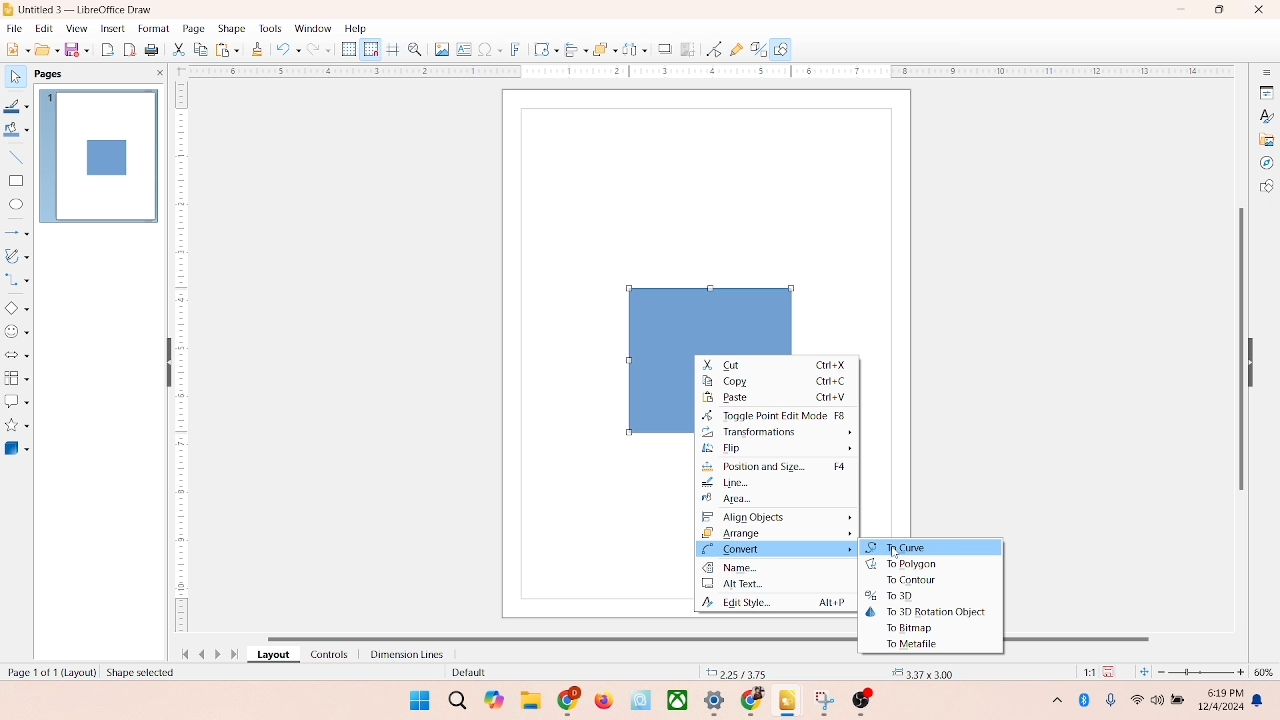 This screenshot has height=720, width=1280. Describe the element at coordinates (887, 596) in the screenshot. I see `to 3D` at that location.